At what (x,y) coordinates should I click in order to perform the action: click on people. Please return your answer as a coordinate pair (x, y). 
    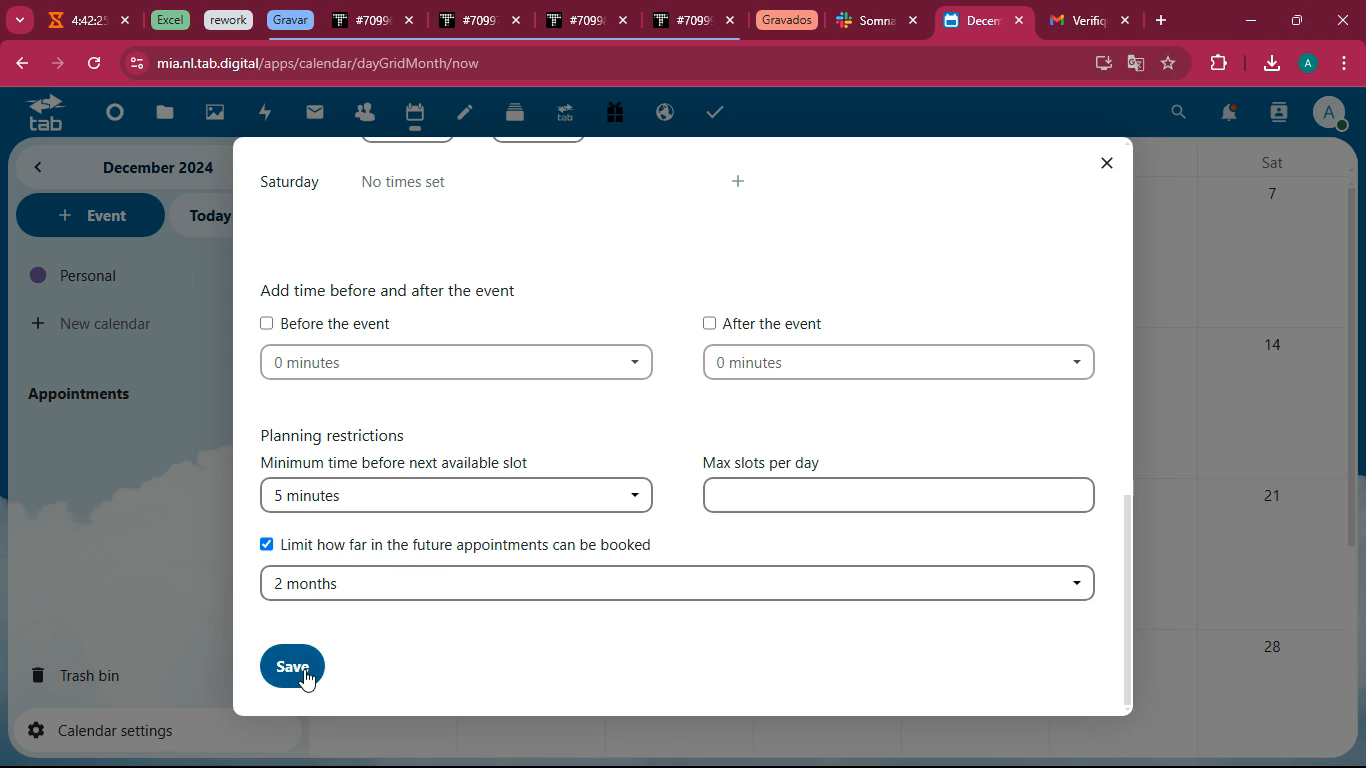
    Looking at the image, I should click on (364, 114).